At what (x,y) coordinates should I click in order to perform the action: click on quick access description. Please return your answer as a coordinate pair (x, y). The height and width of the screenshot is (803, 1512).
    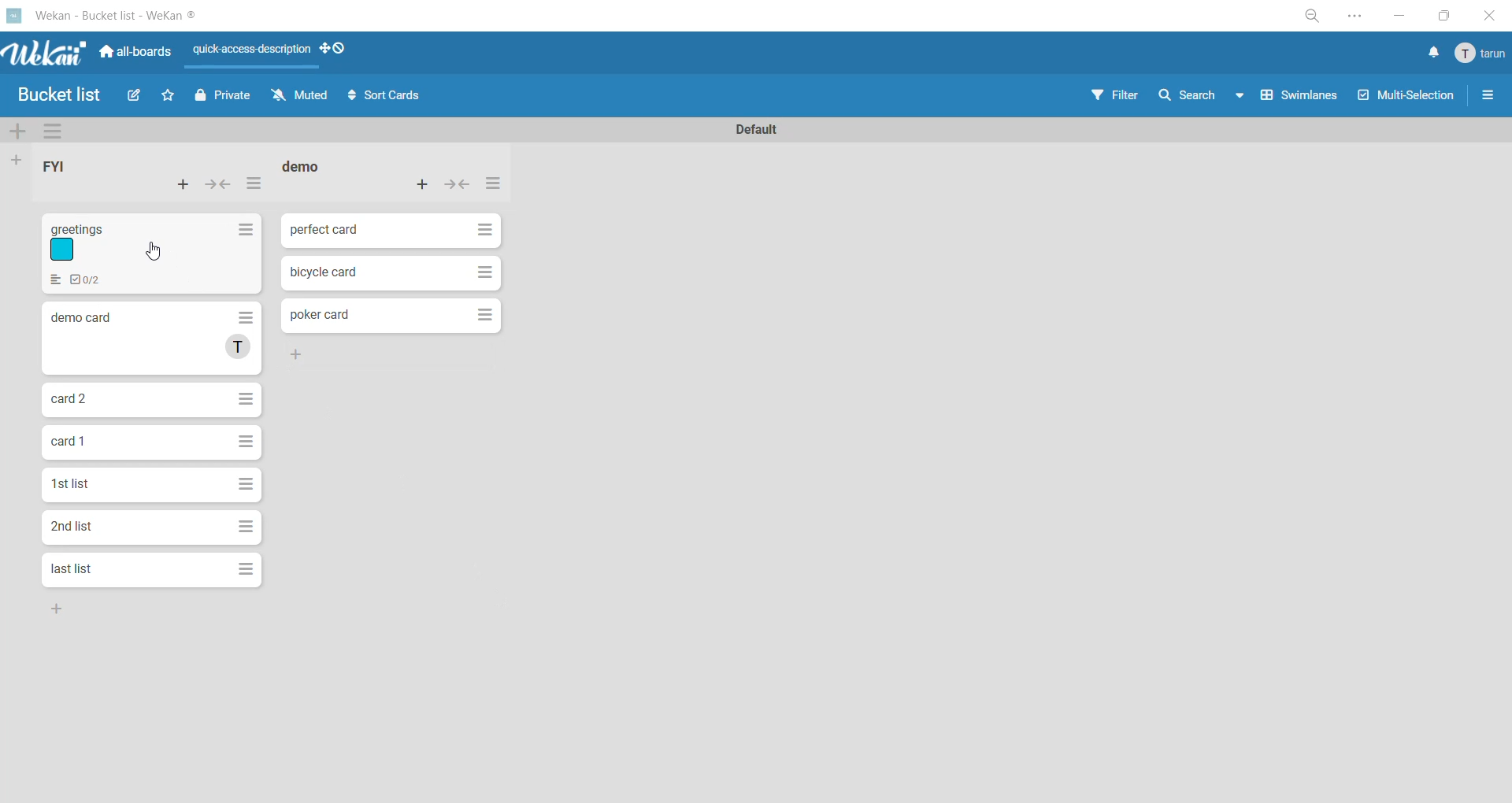
    Looking at the image, I should click on (254, 49).